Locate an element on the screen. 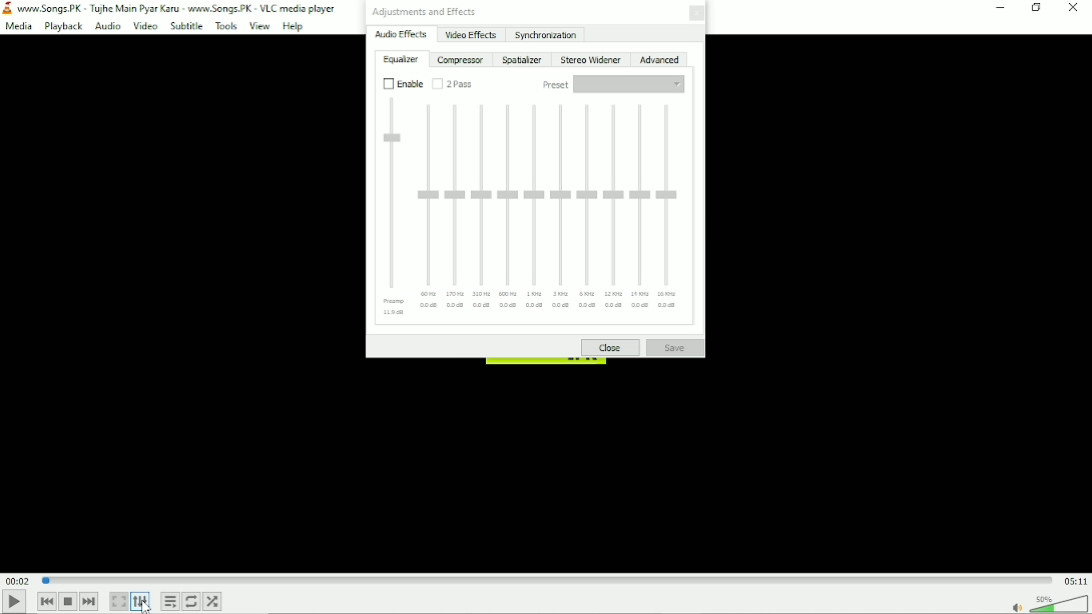  2 pass is located at coordinates (453, 84).